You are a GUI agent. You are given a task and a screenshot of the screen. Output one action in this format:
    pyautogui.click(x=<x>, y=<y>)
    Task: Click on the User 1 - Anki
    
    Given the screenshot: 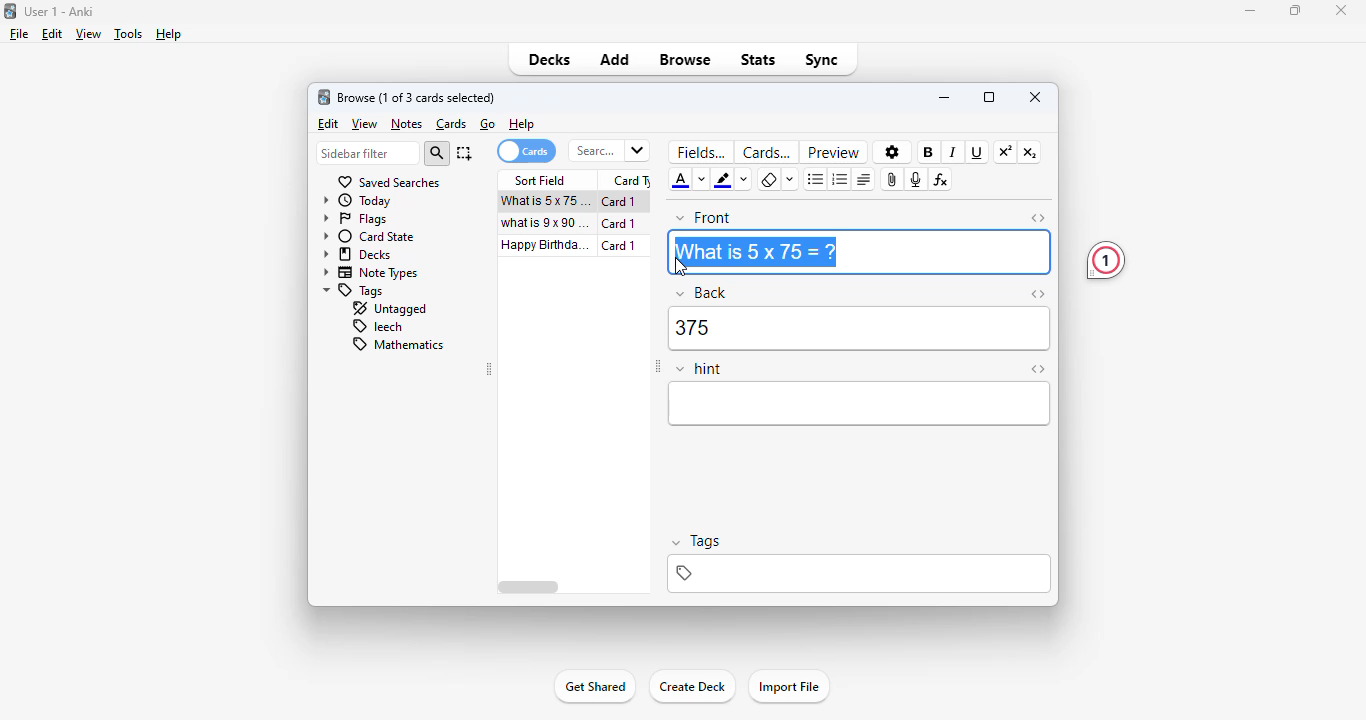 What is the action you would take?
    pyautogui.click(x=60, y=11)
    